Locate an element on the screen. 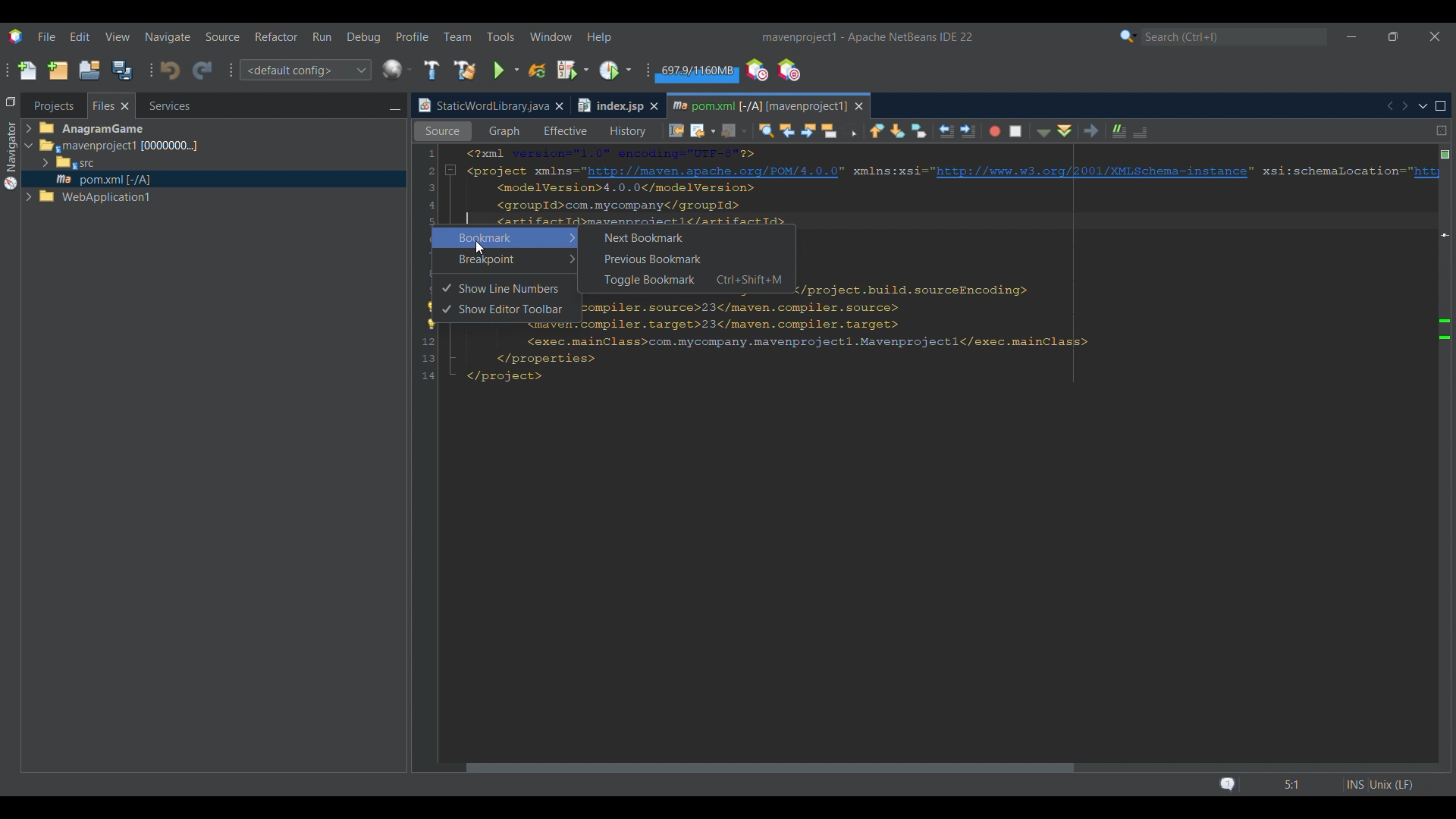 Image resolution: width=1456 pixels, height=819 pixels. Effective view is located at coordinates (565, 131).